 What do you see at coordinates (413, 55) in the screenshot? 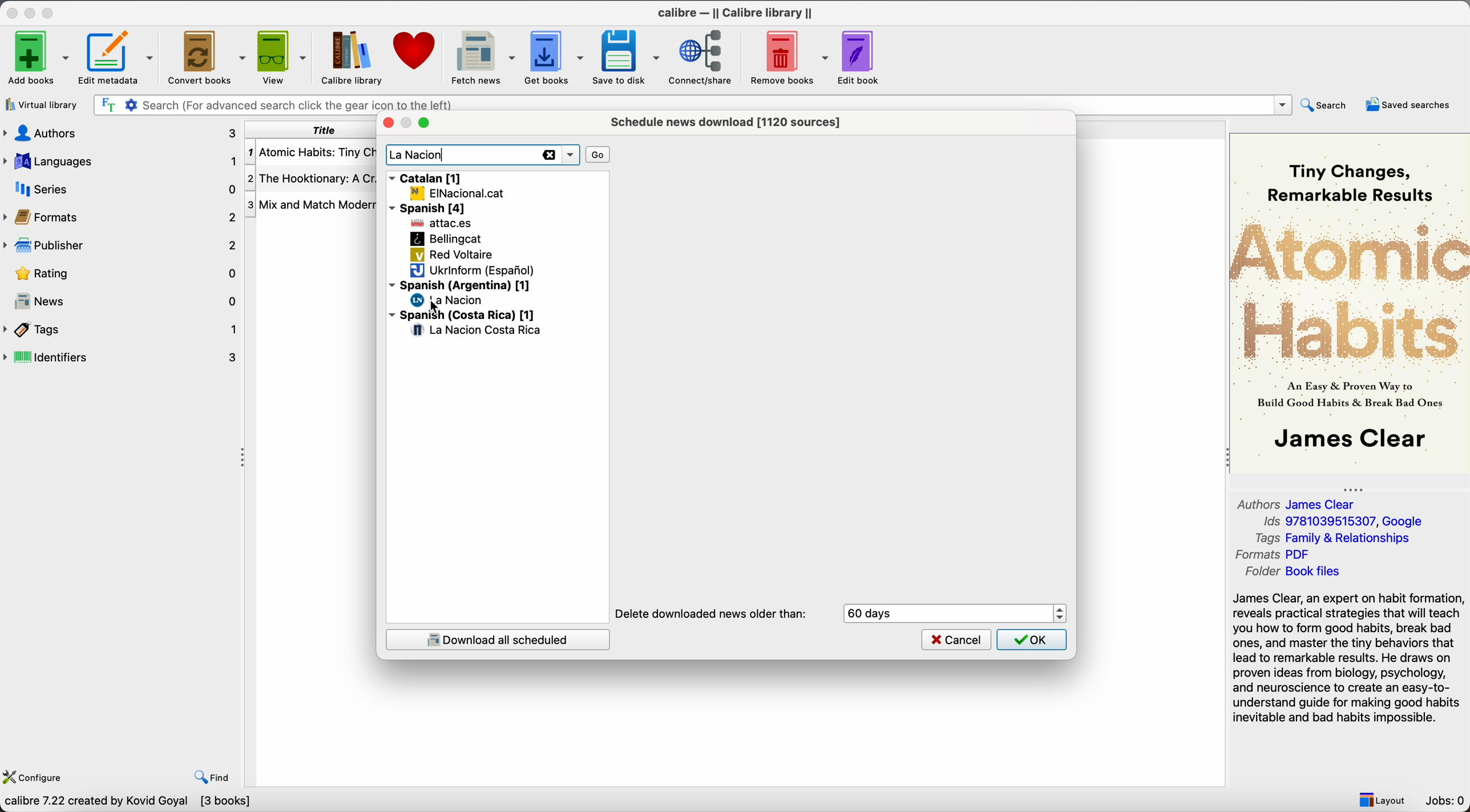
I see `donate` at bounding box center [413, 55].